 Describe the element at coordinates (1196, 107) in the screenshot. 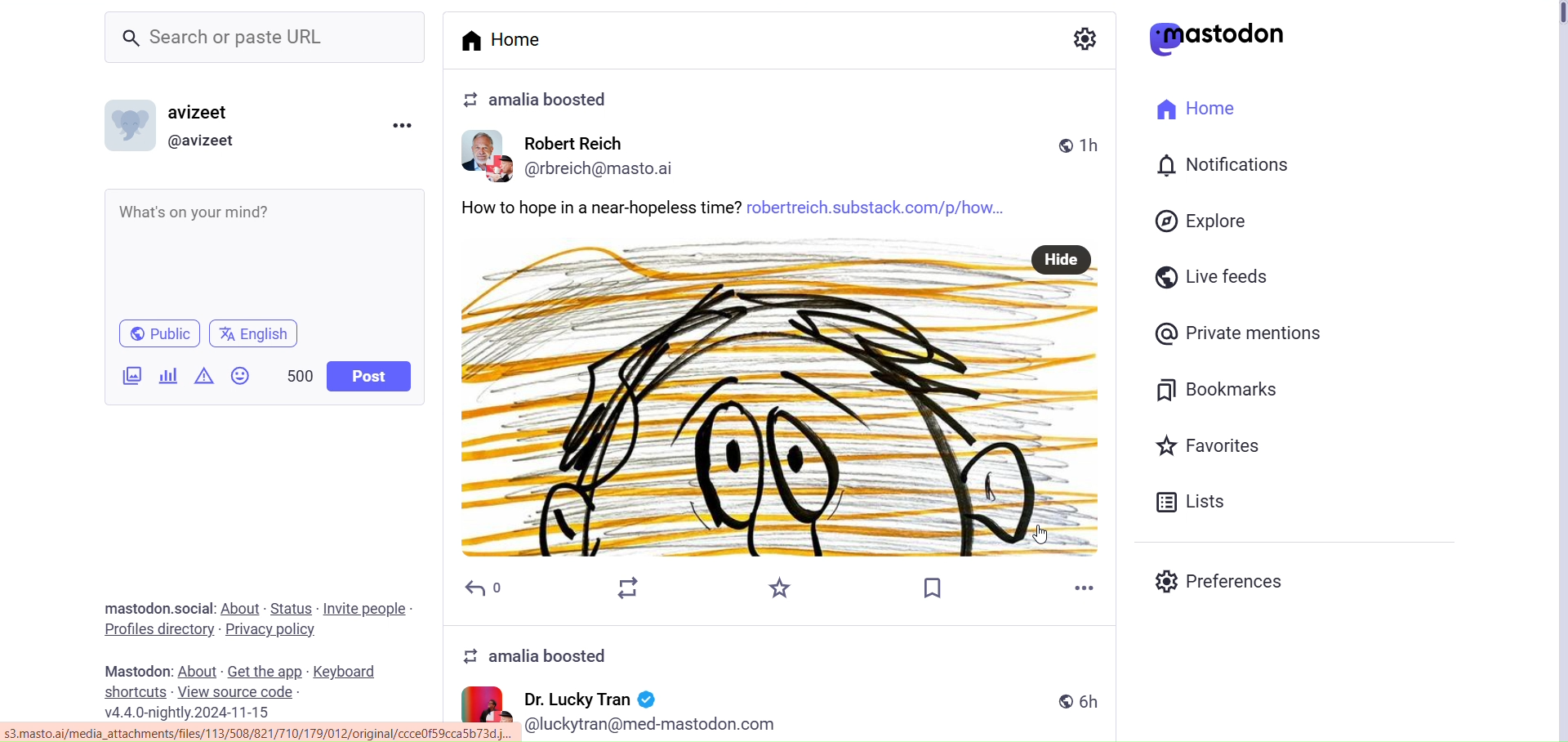

I see `Home` at that location.